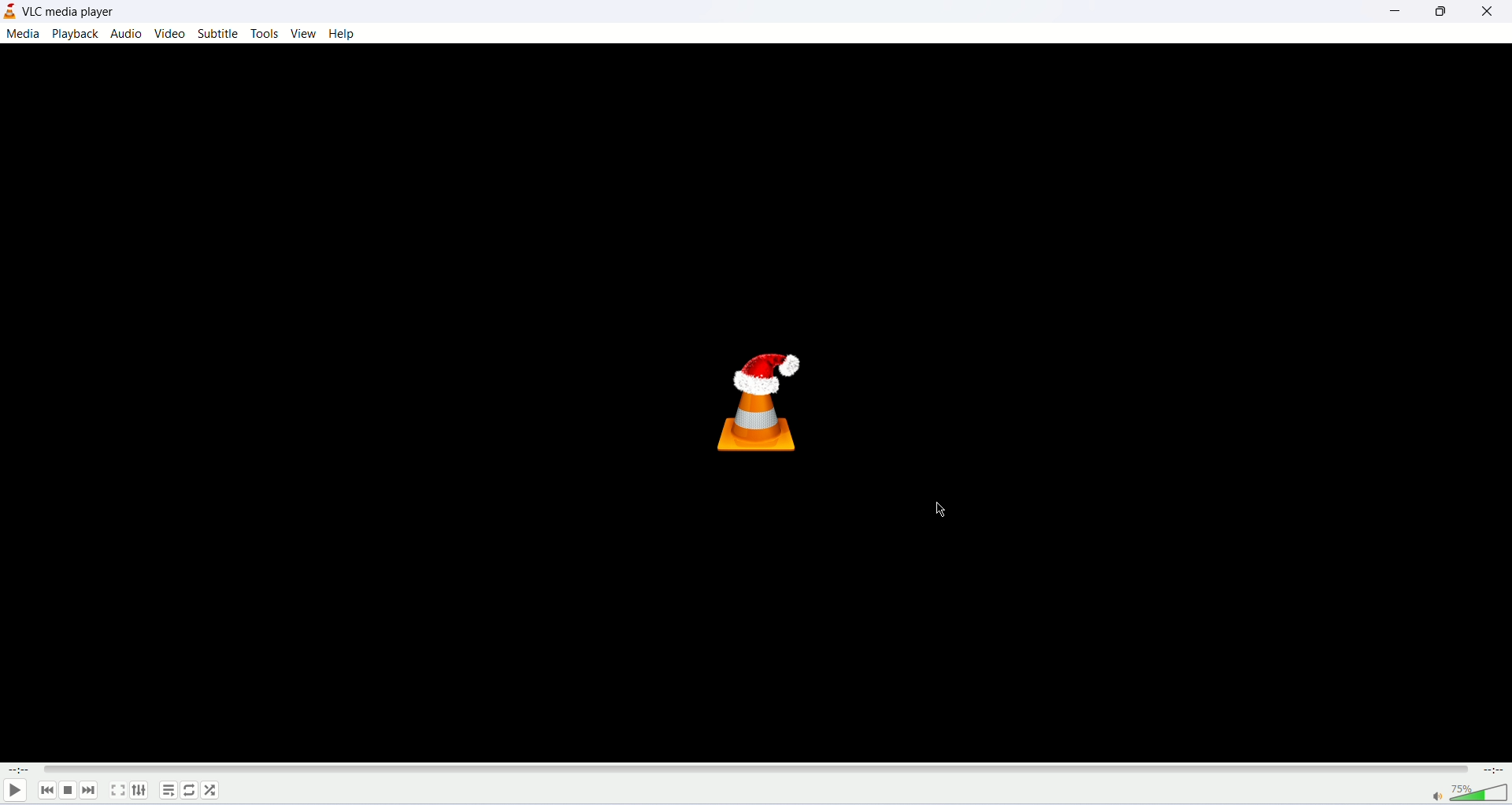 This screenshot has width=1512, height=805. What do you see at coordinates (267, 34) in the screenshot?
I see `tools` at bounding box center [267, 34].